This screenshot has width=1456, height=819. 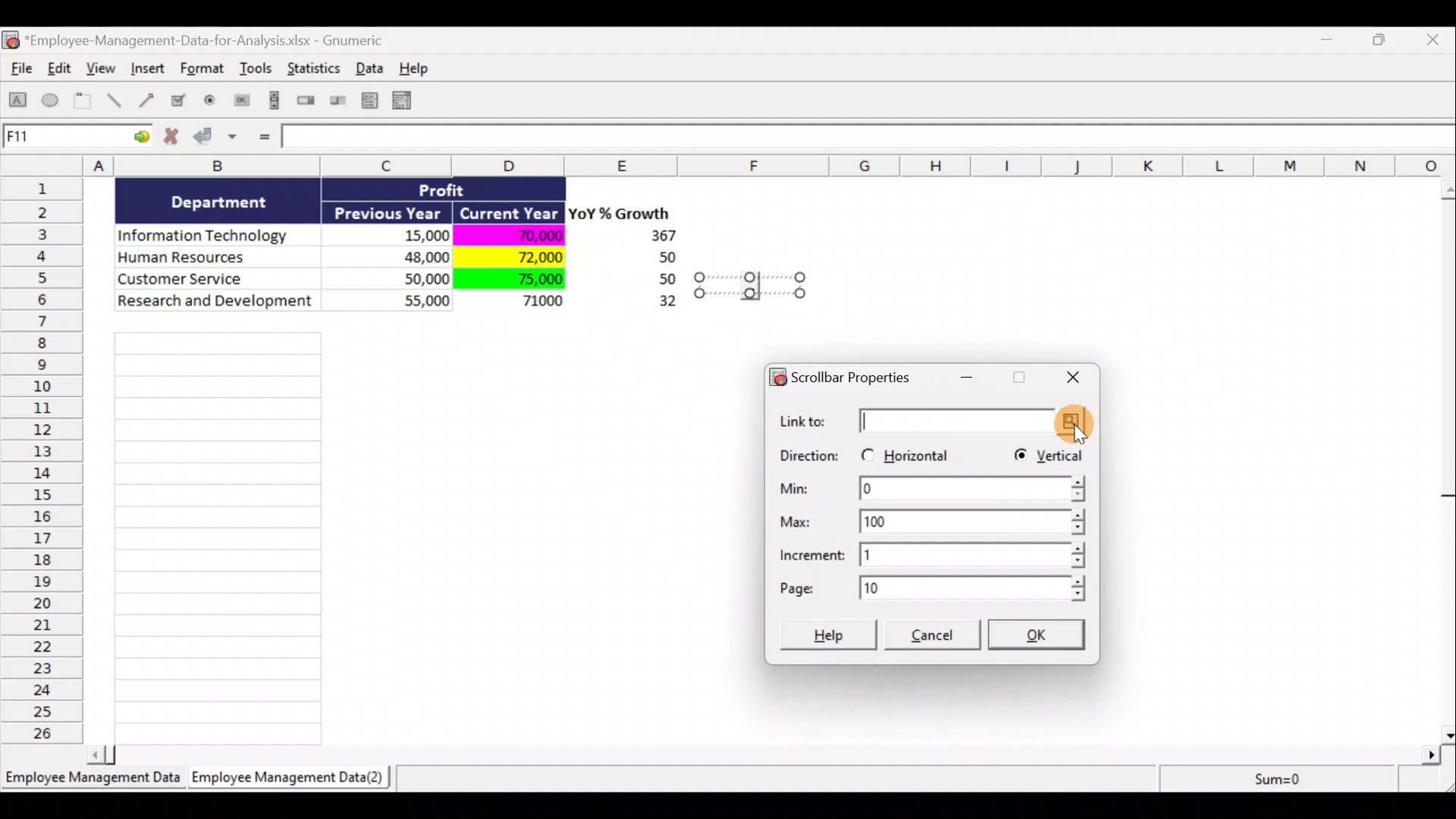 I want to click on Create a rectangle object, so click(x=18, y=102).